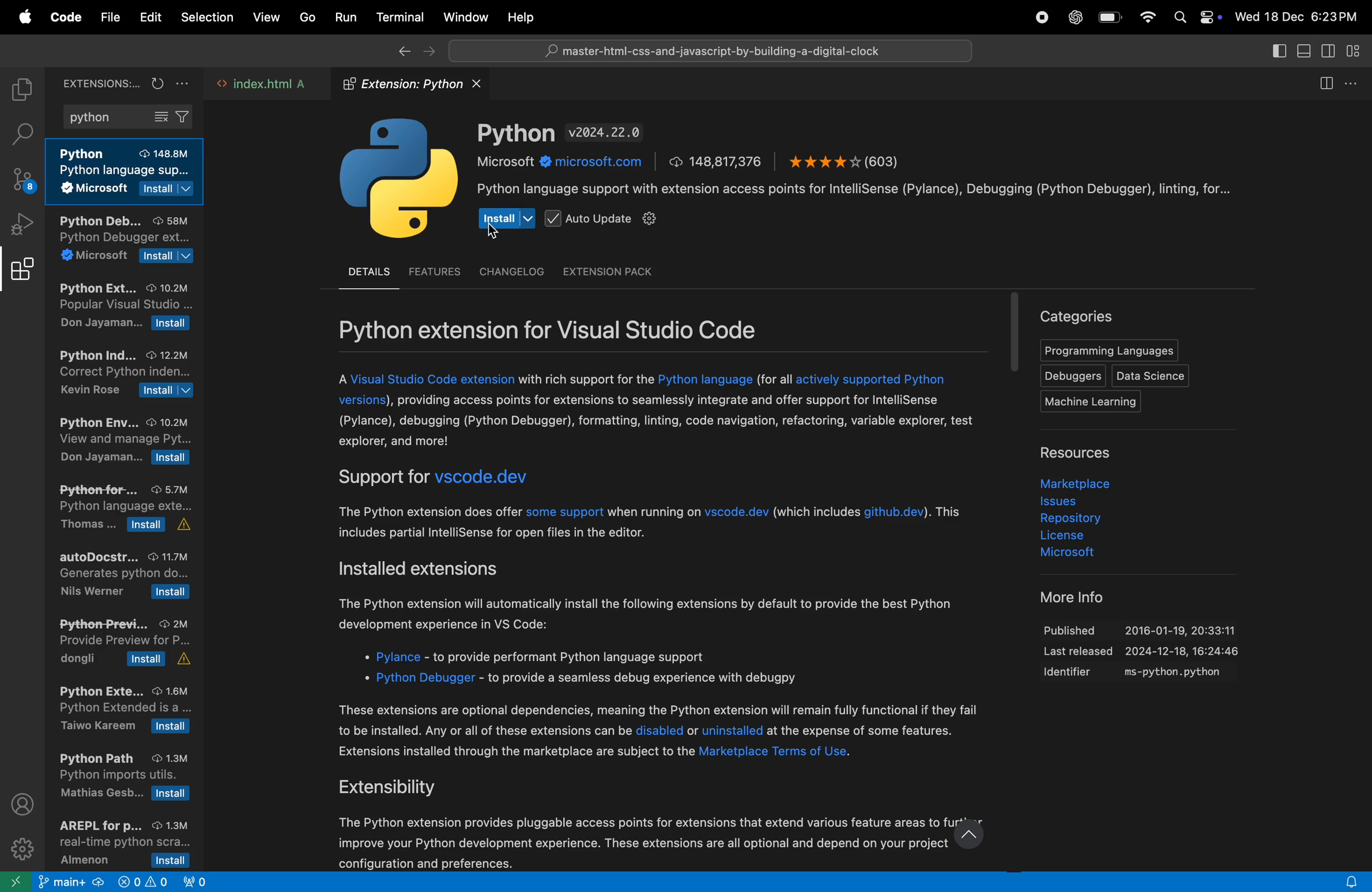 The height and width of the screenshot is (892, 1372). What do you see at coordinates (264, 85) in the screenshot?
I see `index.hyml` at bounding box center [264, 85].